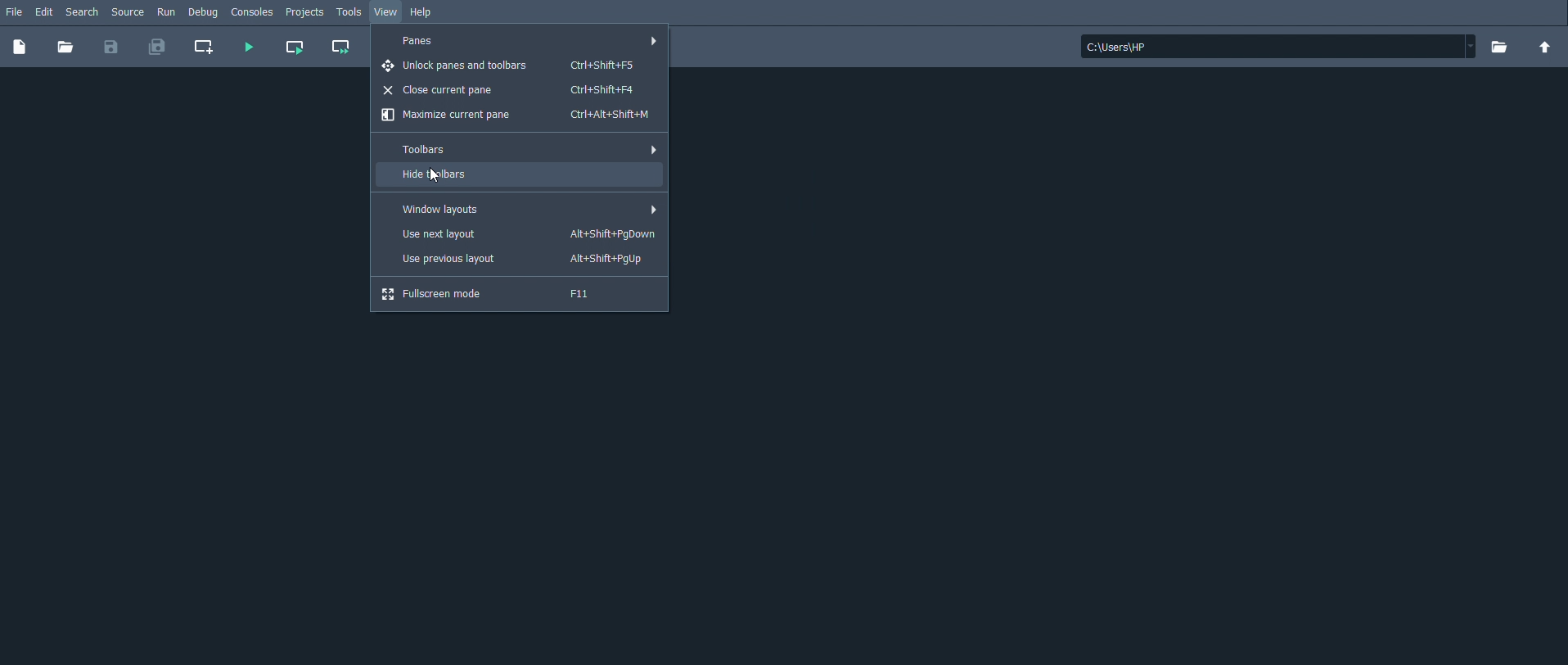  Describe the element at coordinates (65, 48) in the screenshot. I see `Open file` at that location.